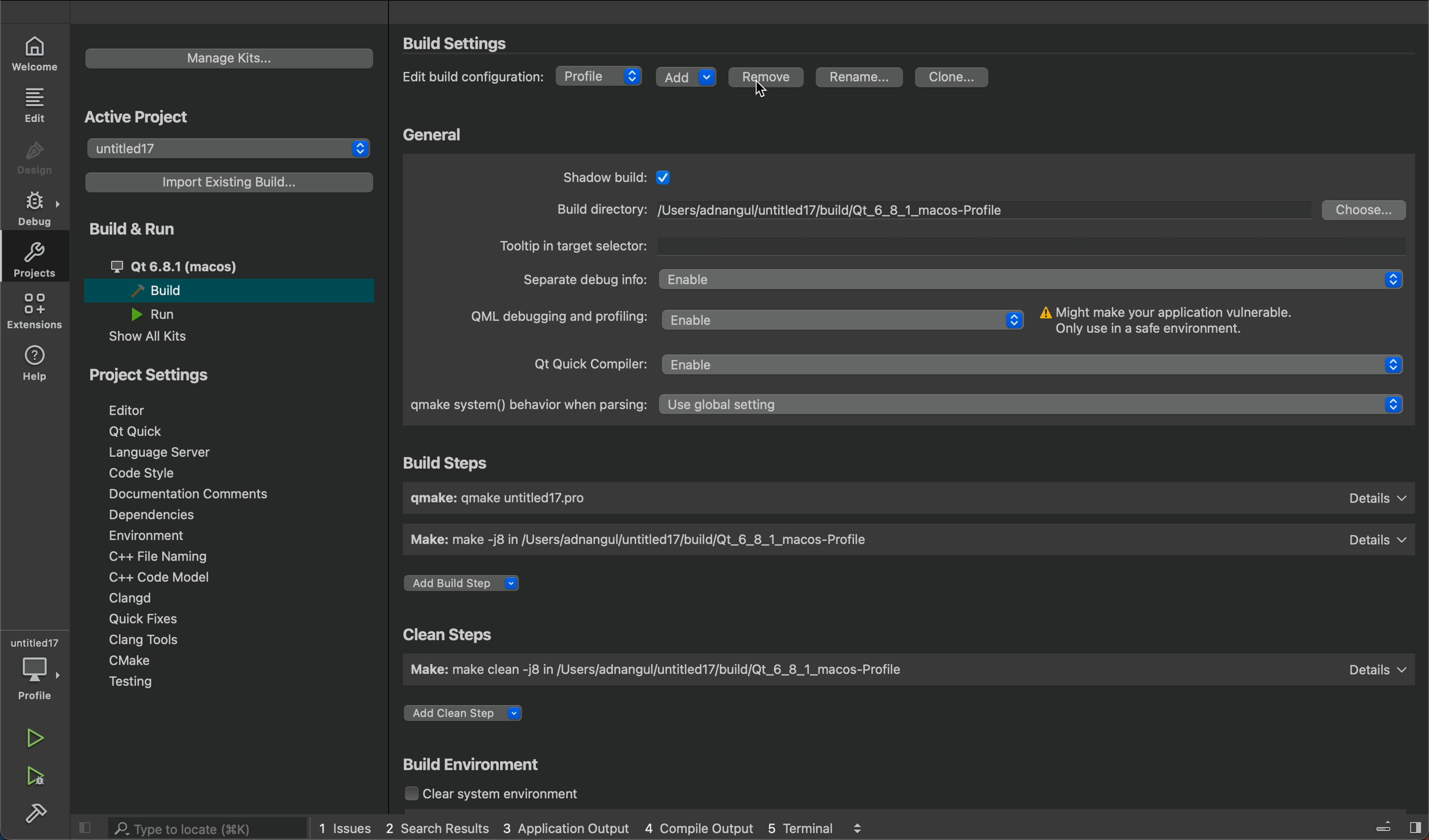  What do you see at coordinates (232, 149) in the screenshot?
I see `project list to select` at bounding box center [232, 149].